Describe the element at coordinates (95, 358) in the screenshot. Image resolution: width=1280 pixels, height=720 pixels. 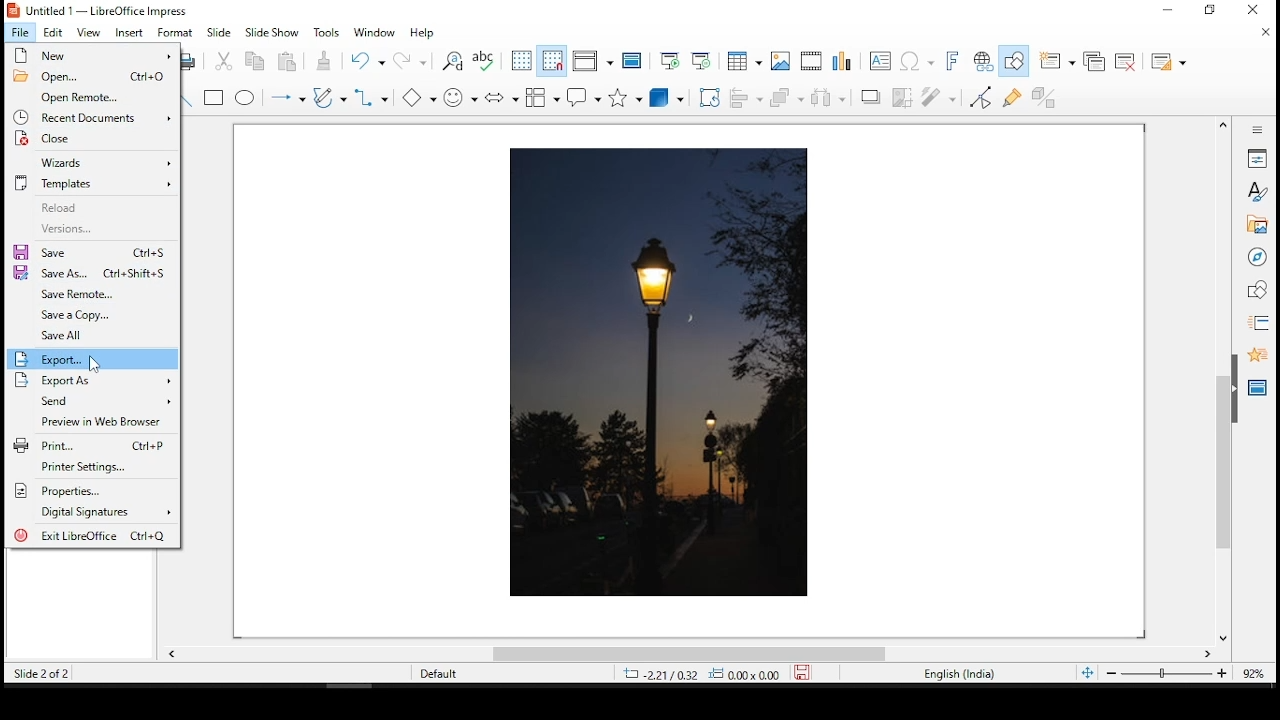
I see `export` at that location.